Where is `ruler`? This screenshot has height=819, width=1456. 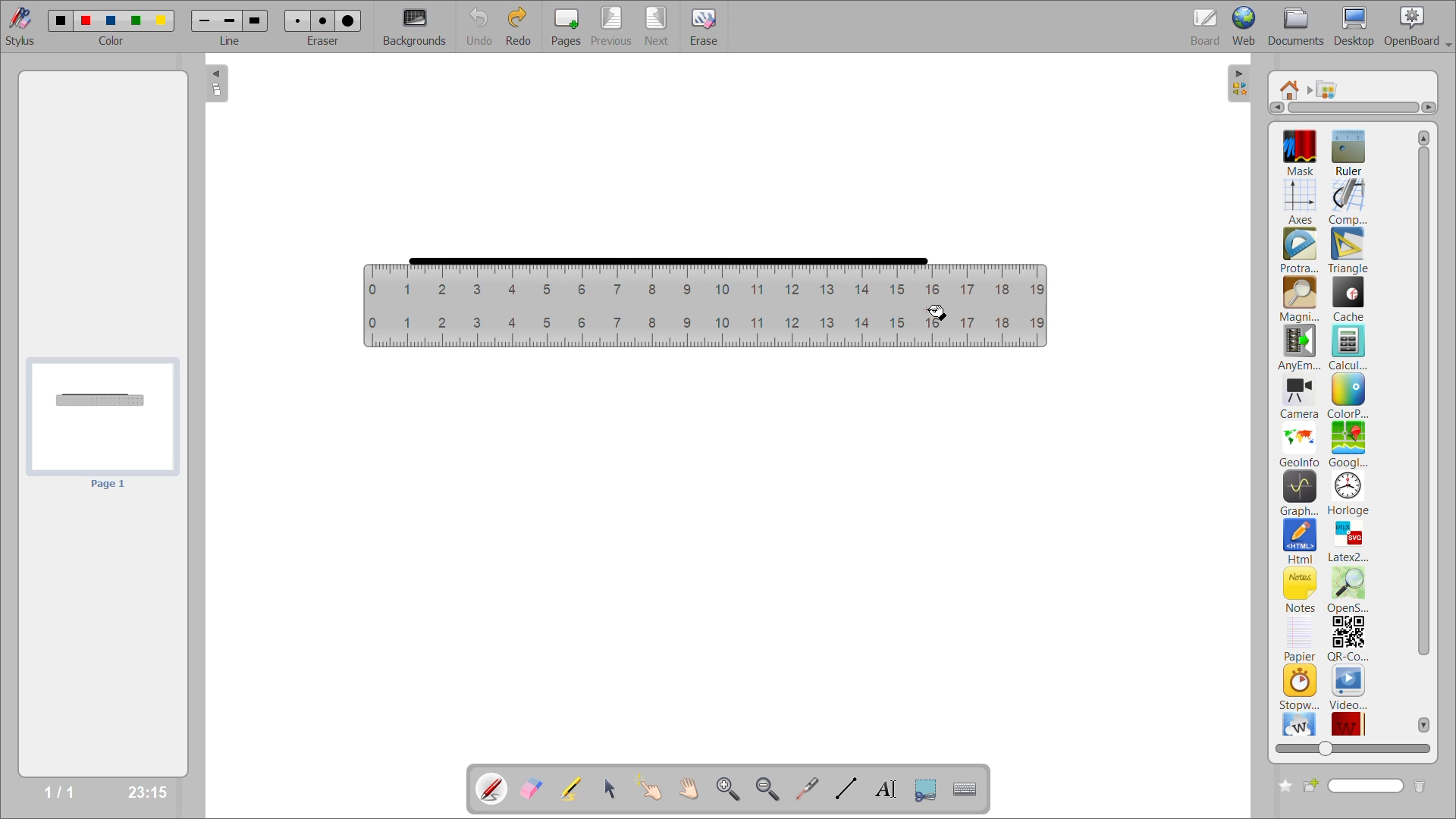
ruler is located at coordinates (1347, 151).